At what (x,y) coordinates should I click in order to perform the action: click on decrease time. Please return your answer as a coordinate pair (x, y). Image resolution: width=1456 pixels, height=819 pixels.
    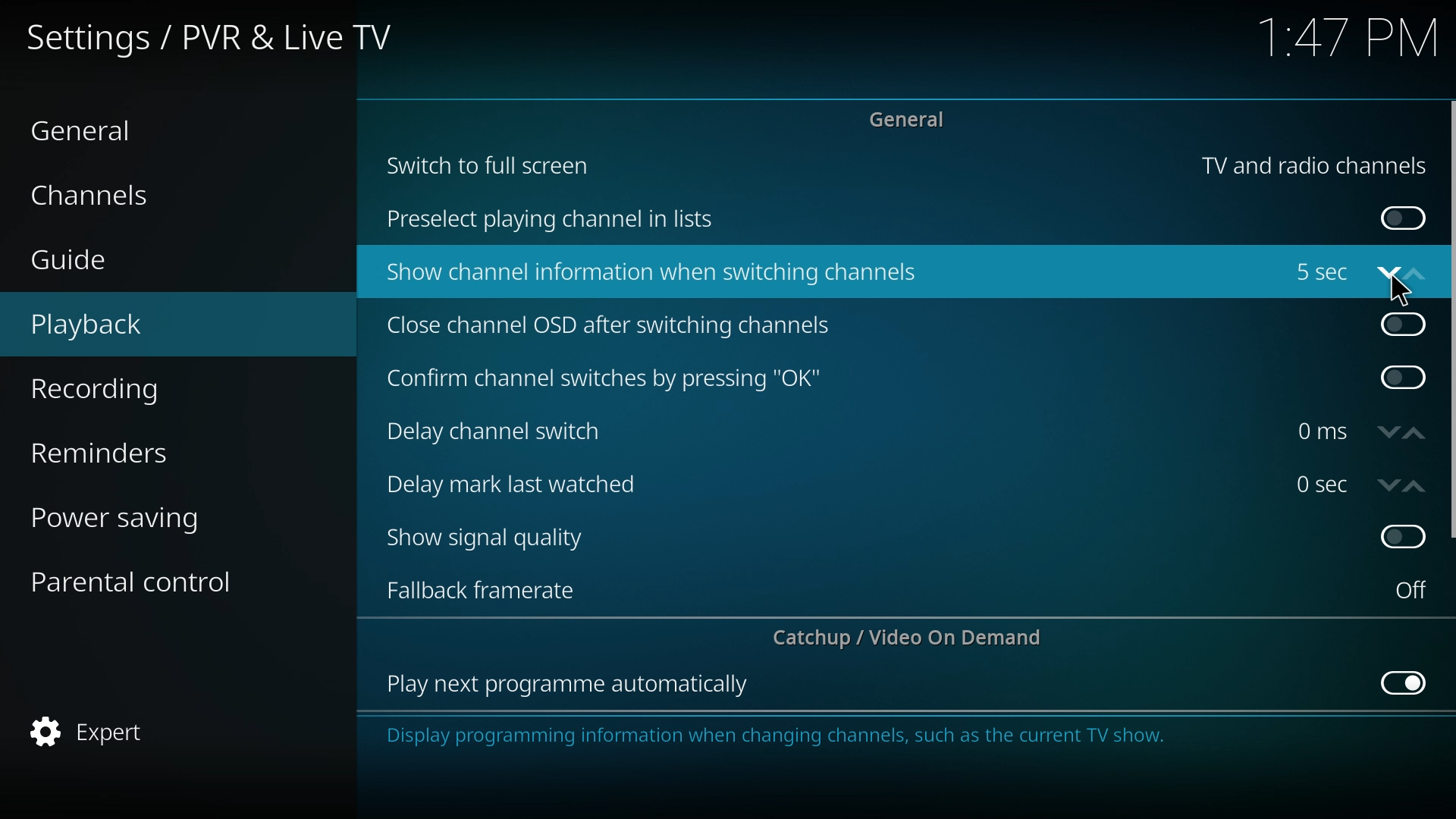
    Looking at the image, I should click on (1389, 485).